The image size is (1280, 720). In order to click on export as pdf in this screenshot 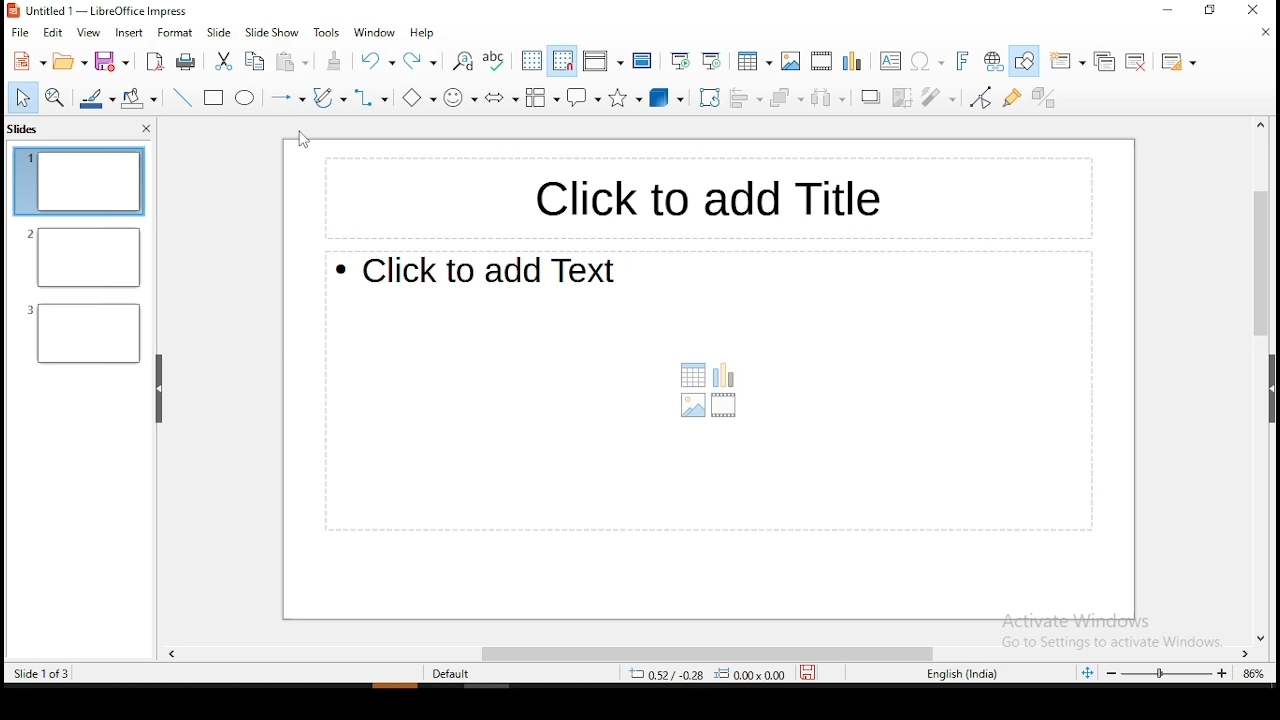, I will do `click(153, 64)`.